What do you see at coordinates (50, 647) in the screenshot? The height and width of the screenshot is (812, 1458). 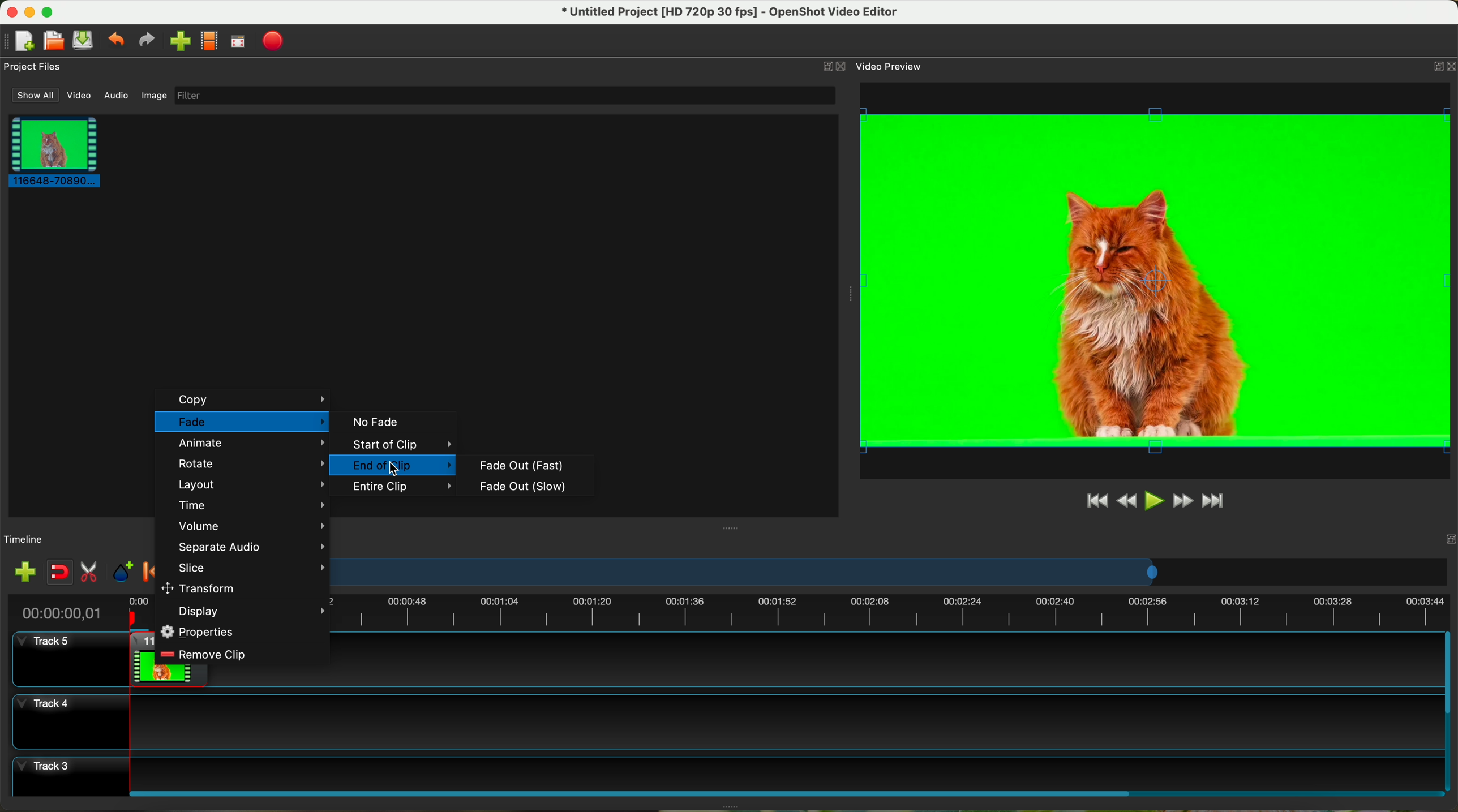 I see `track 5` at bounding box center [50, 647].